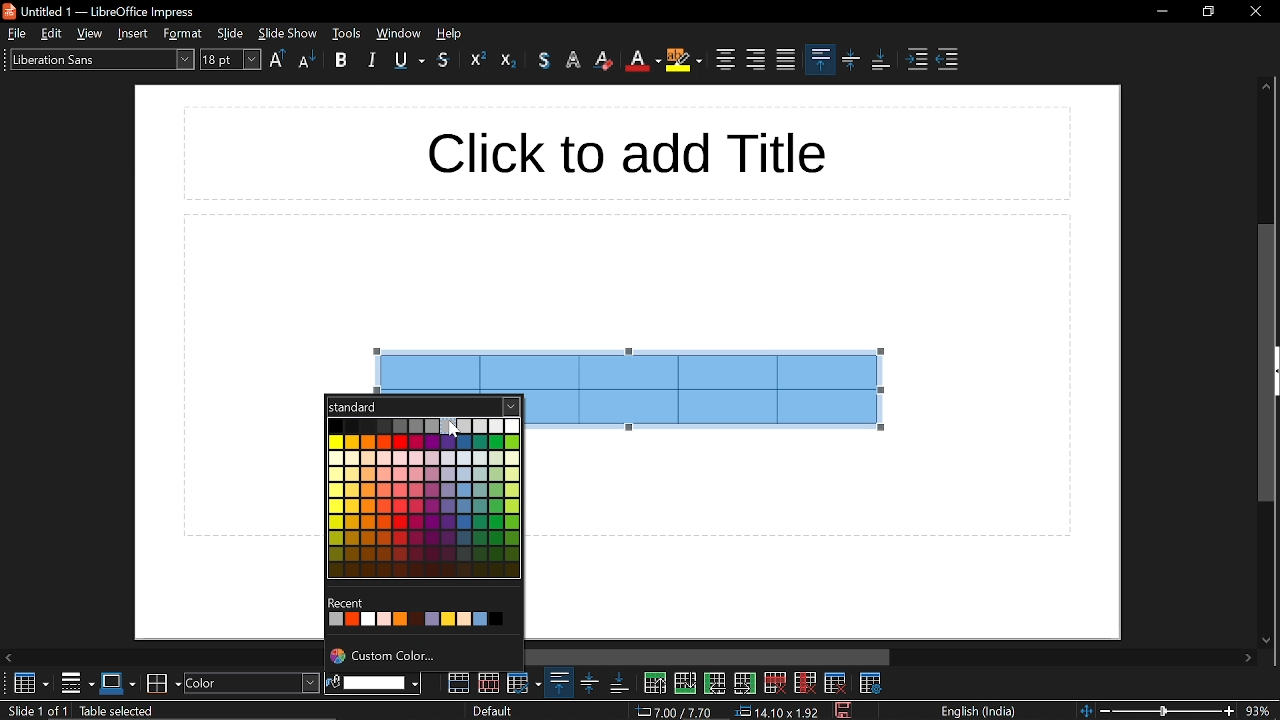 The image size is (1280, 720). Describe the element at coordinates (1263, 710) in the screenshot. I see `current zoom` at that location.